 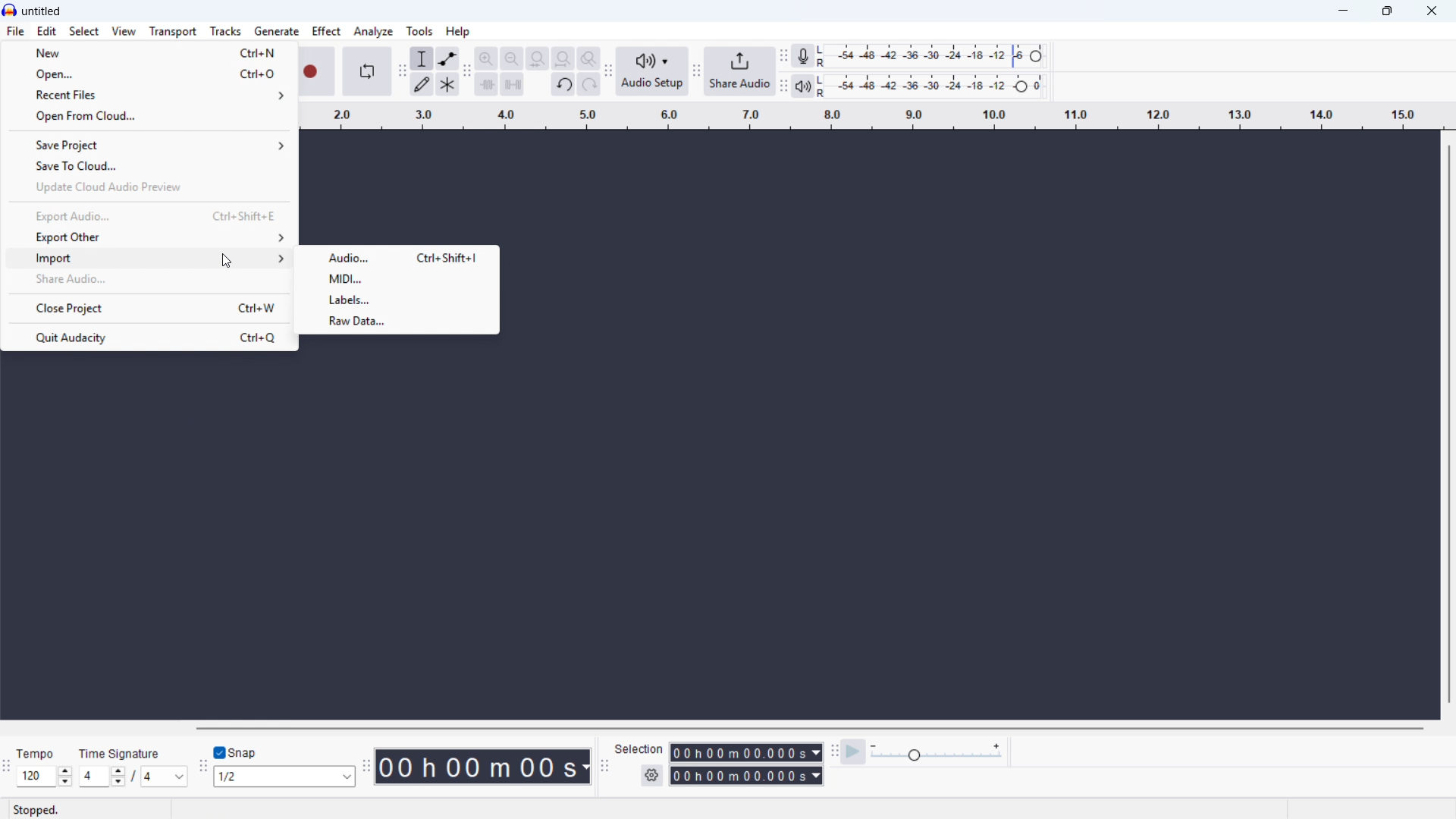 What do you see at coordinates (854, 751) in the screenshot?
I see `Play at speed ` at bounding box center [854, 751].